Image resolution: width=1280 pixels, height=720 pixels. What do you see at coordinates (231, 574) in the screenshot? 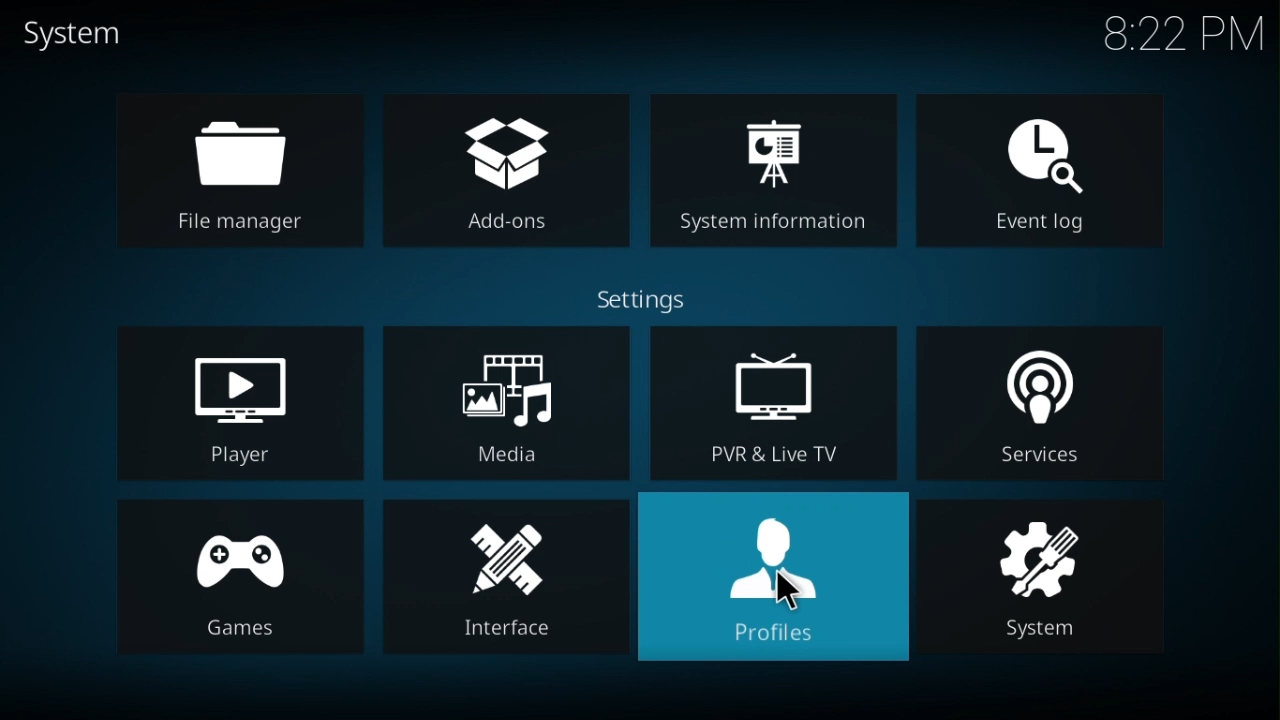
I see `games` at bounding box center [231, 574].